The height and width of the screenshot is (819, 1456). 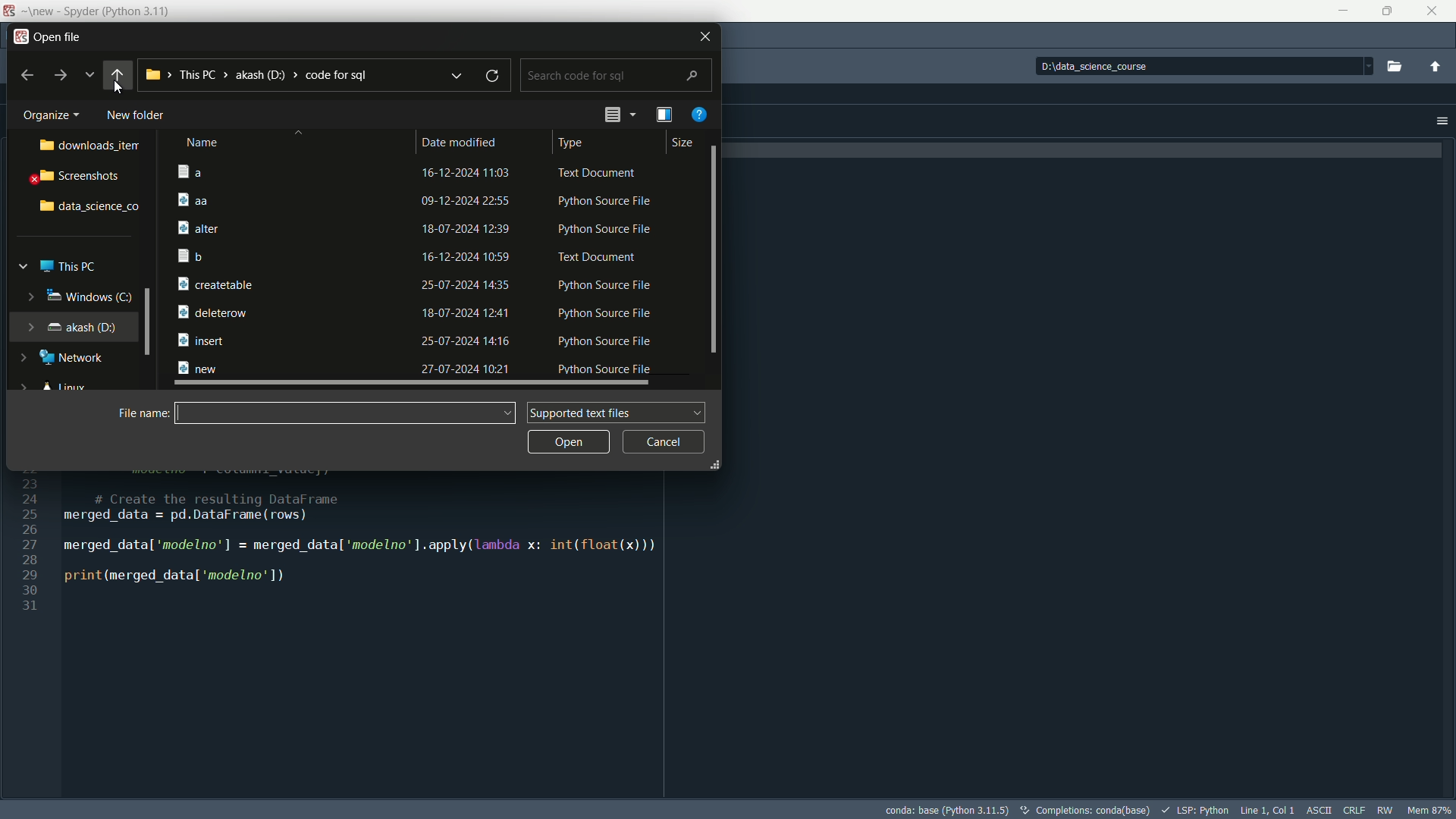 What do you see at coordinates (1354, 810) in the screenshot?
I see `file eol status` at bounding box center [1354, 810].